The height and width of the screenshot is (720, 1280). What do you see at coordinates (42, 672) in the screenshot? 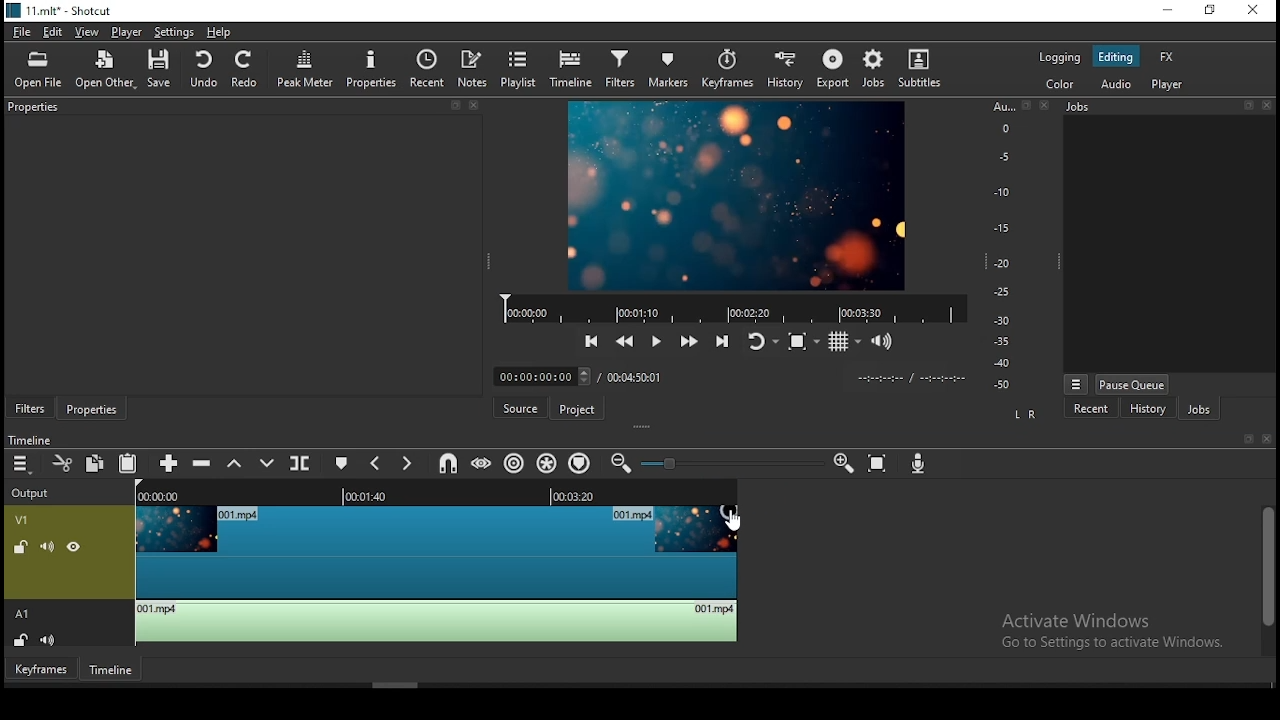
I see `keyframes` at bounding box center [42, 672].